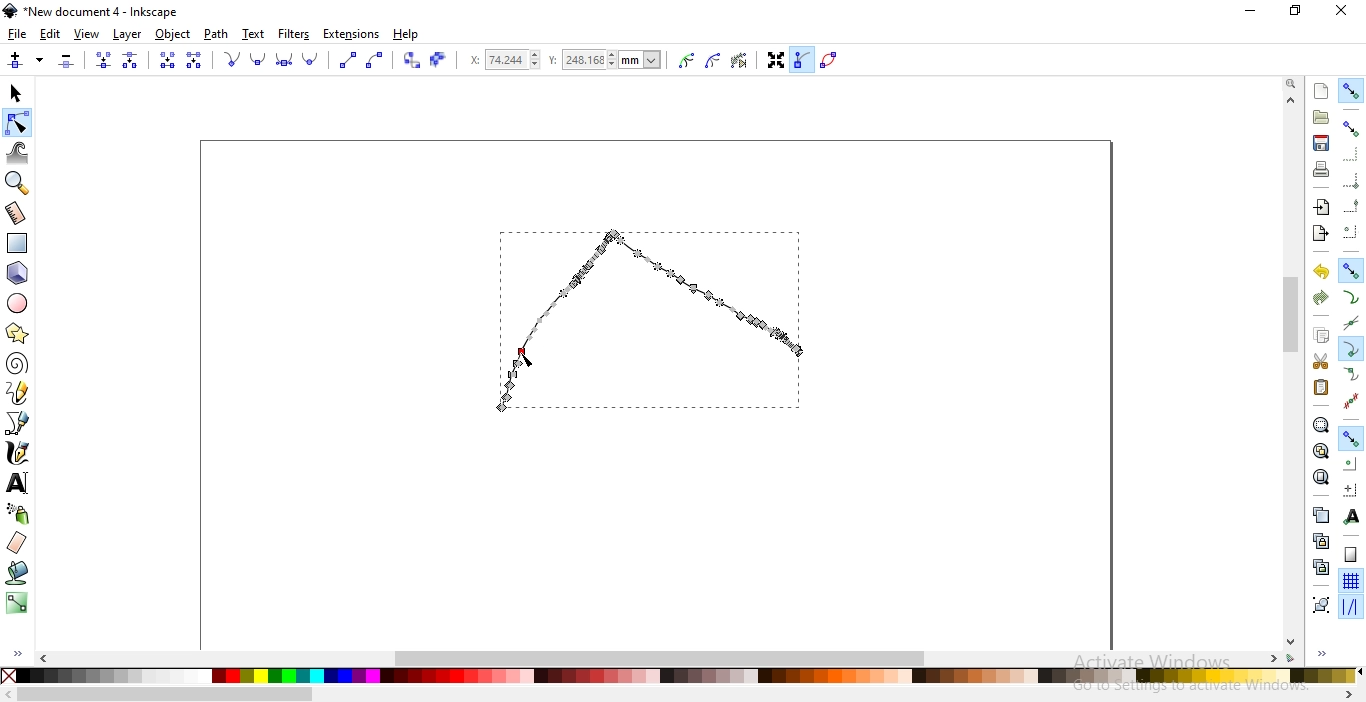 Image resolution: width=1366 pixels, height=702 pixels. What do you see at coordinates (803, 58) in the screenshot?
I see `show bezier handle of selected nodes` at bounding box center [803, 58].